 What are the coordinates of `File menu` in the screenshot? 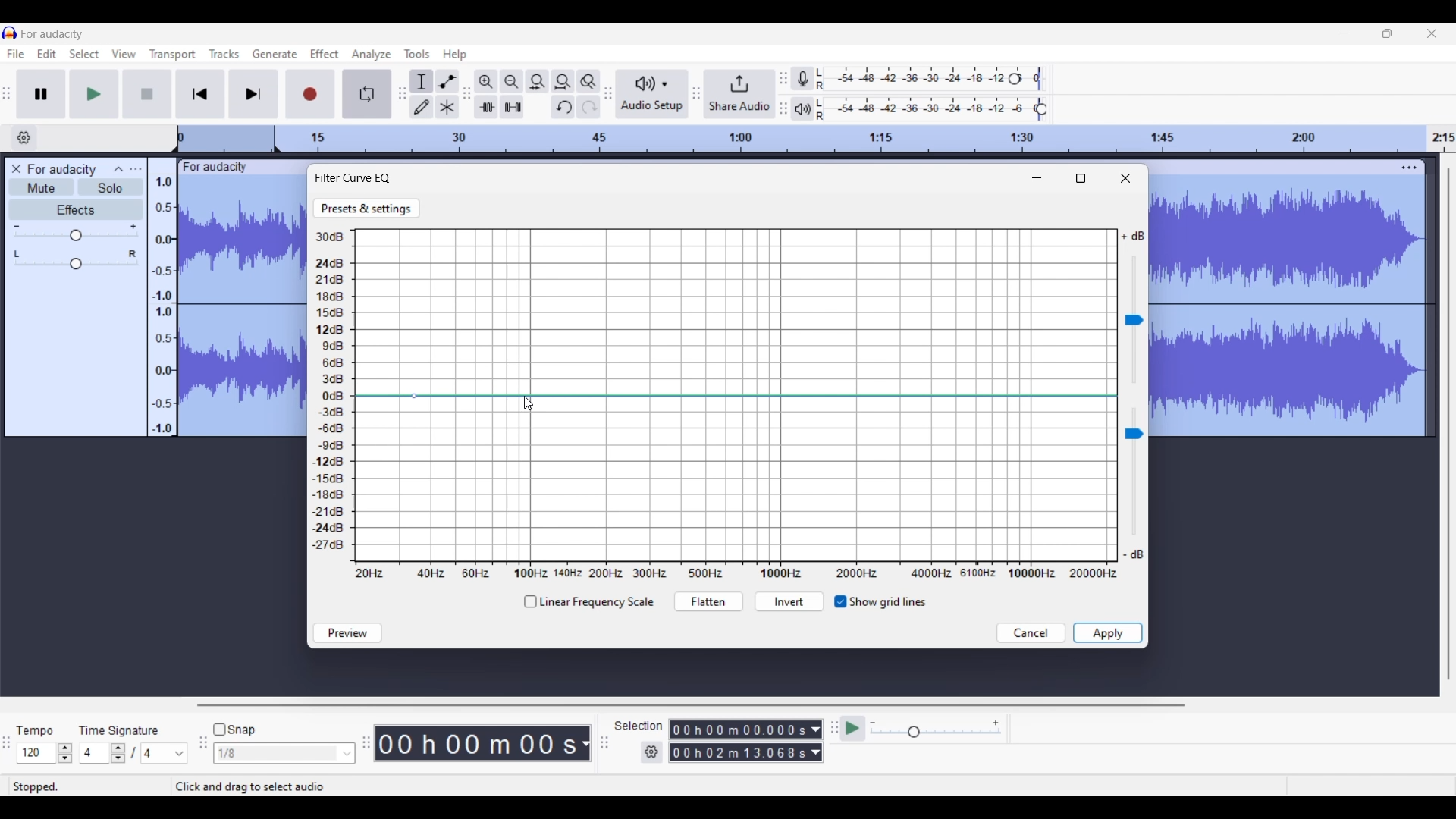 It's located at (15, 55).